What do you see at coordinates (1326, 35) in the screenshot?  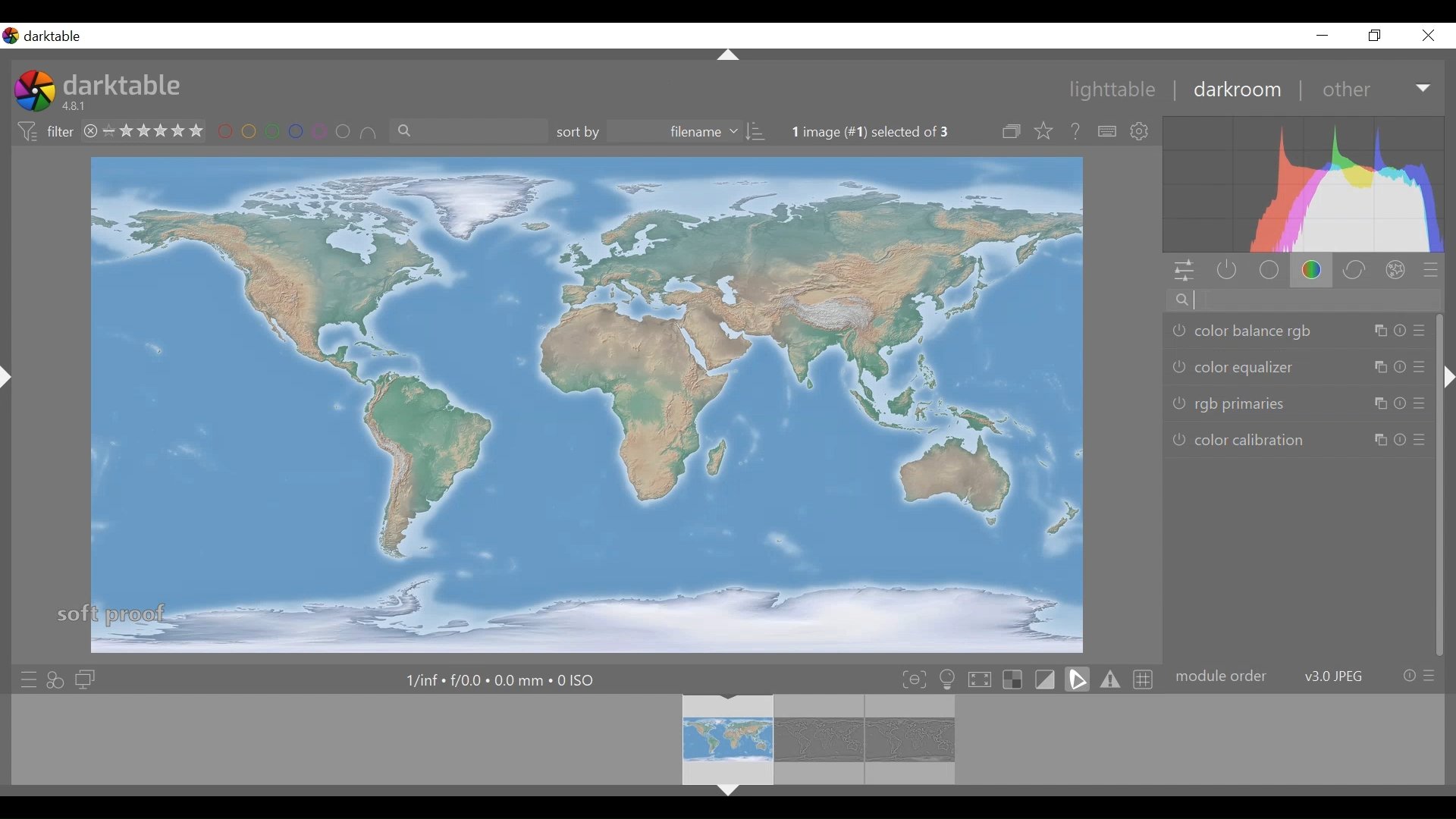 I see `minimize` at bounding box center [1326, 35].